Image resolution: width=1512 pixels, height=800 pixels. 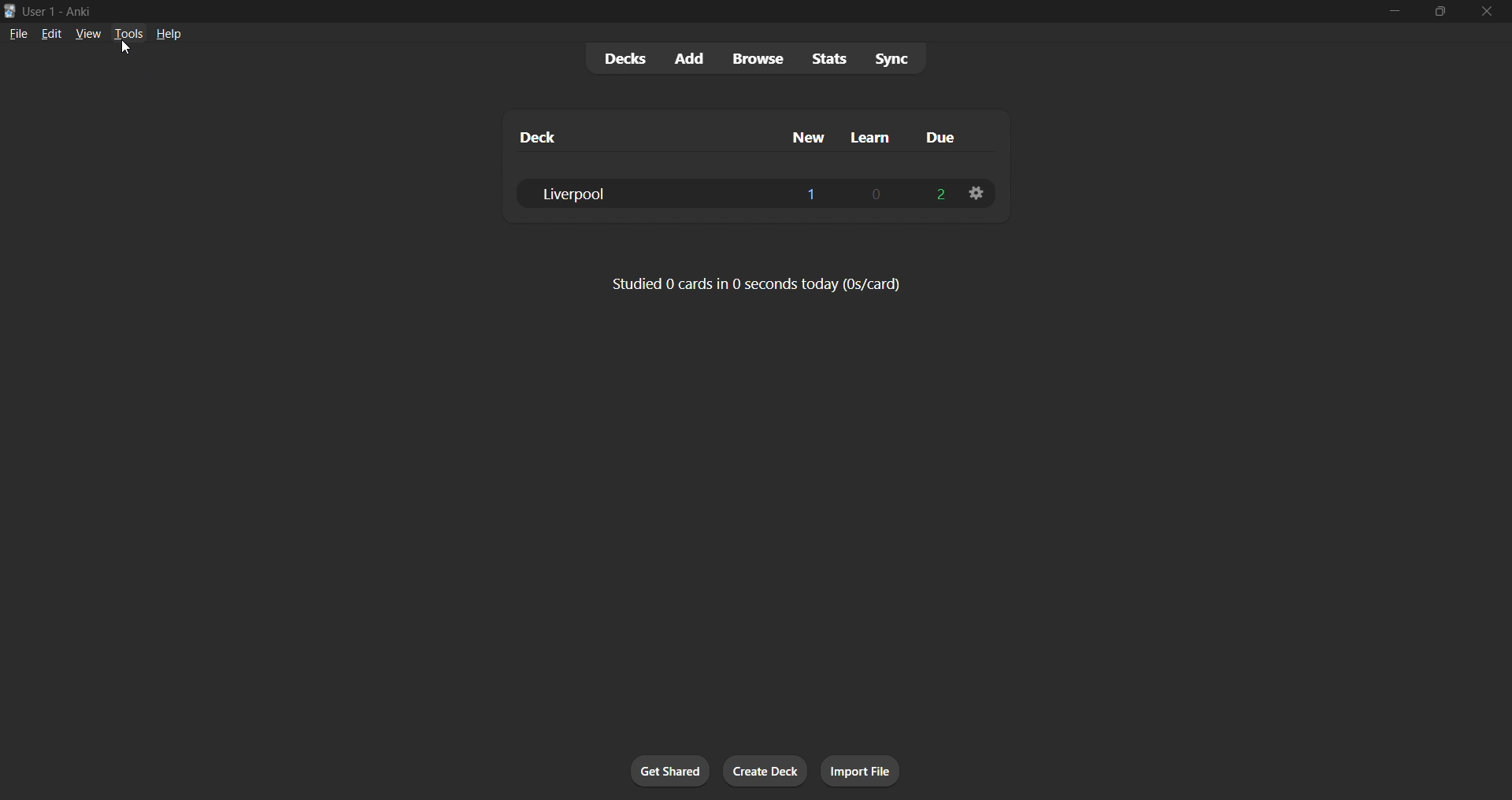 What do you see at coordinates (813, 194) in the screenshot?
I see `1` at bounding box center [813, 194].